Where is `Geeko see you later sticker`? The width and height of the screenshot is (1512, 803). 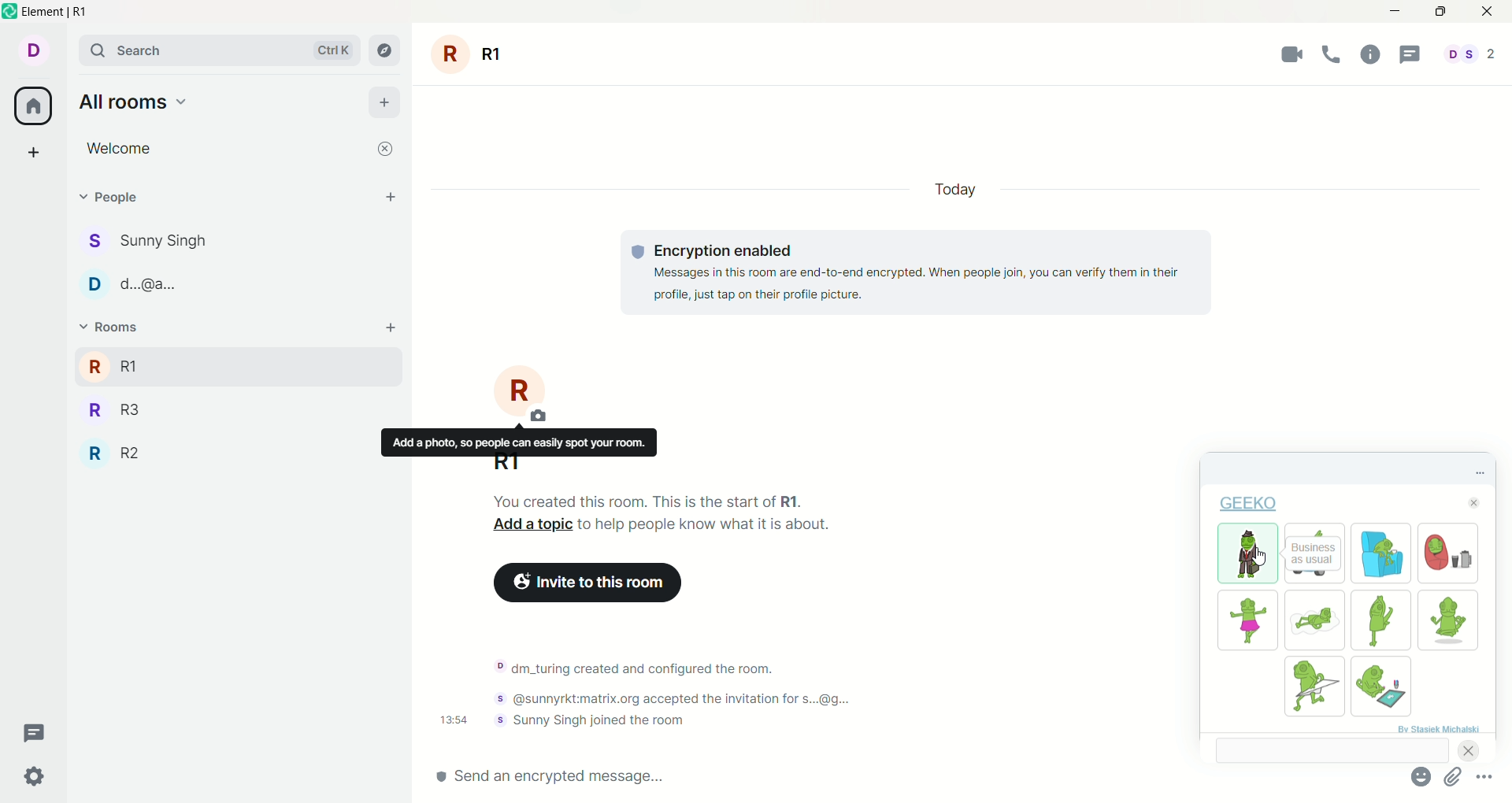
Geeko see you later sticker is located at coordinates (1315, 529).